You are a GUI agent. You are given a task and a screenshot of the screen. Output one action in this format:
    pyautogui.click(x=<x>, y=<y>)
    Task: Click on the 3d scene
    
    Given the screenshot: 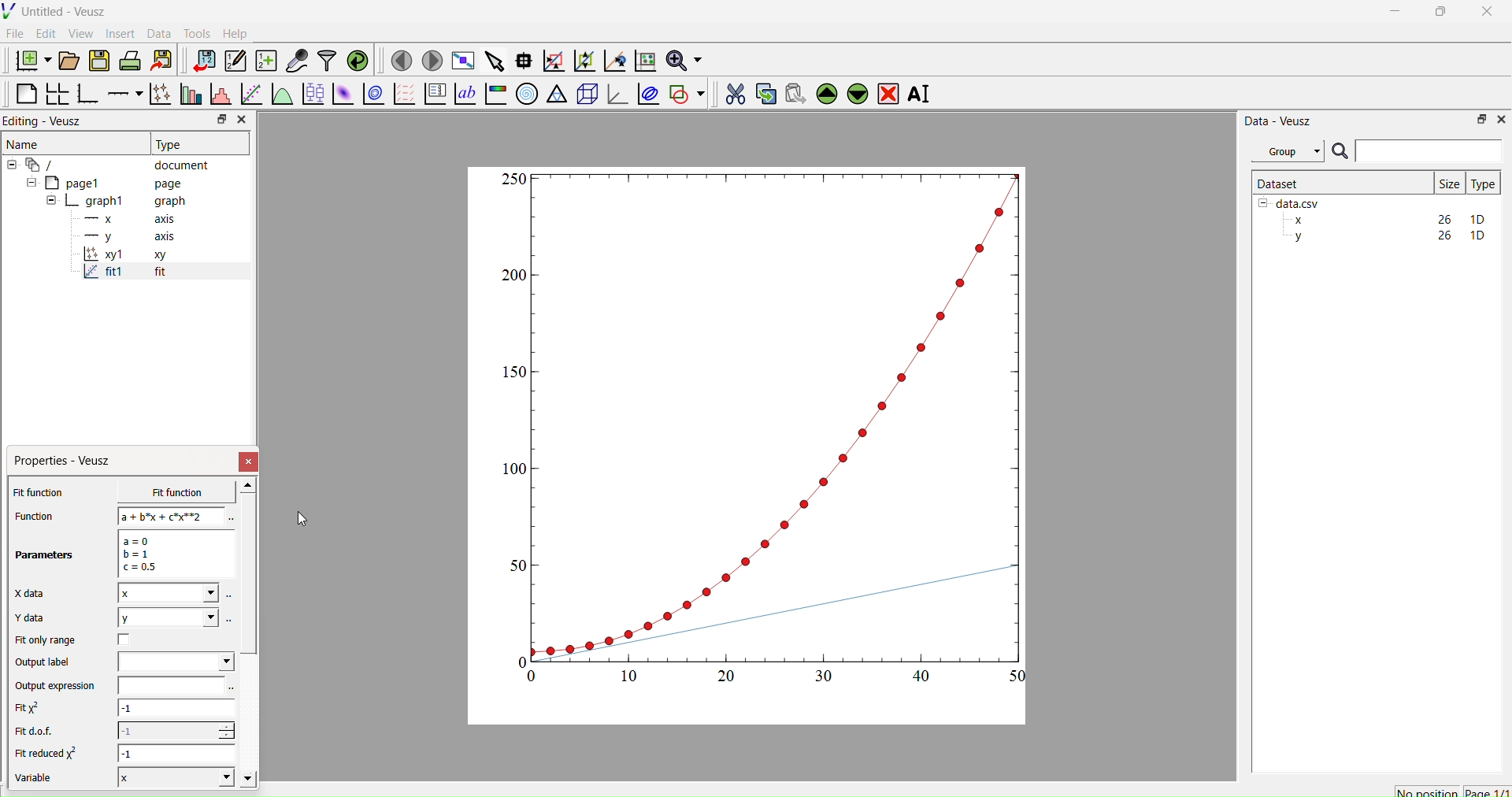 What is the action you would take?
    pyautogui.click(x=585, y=91)
    